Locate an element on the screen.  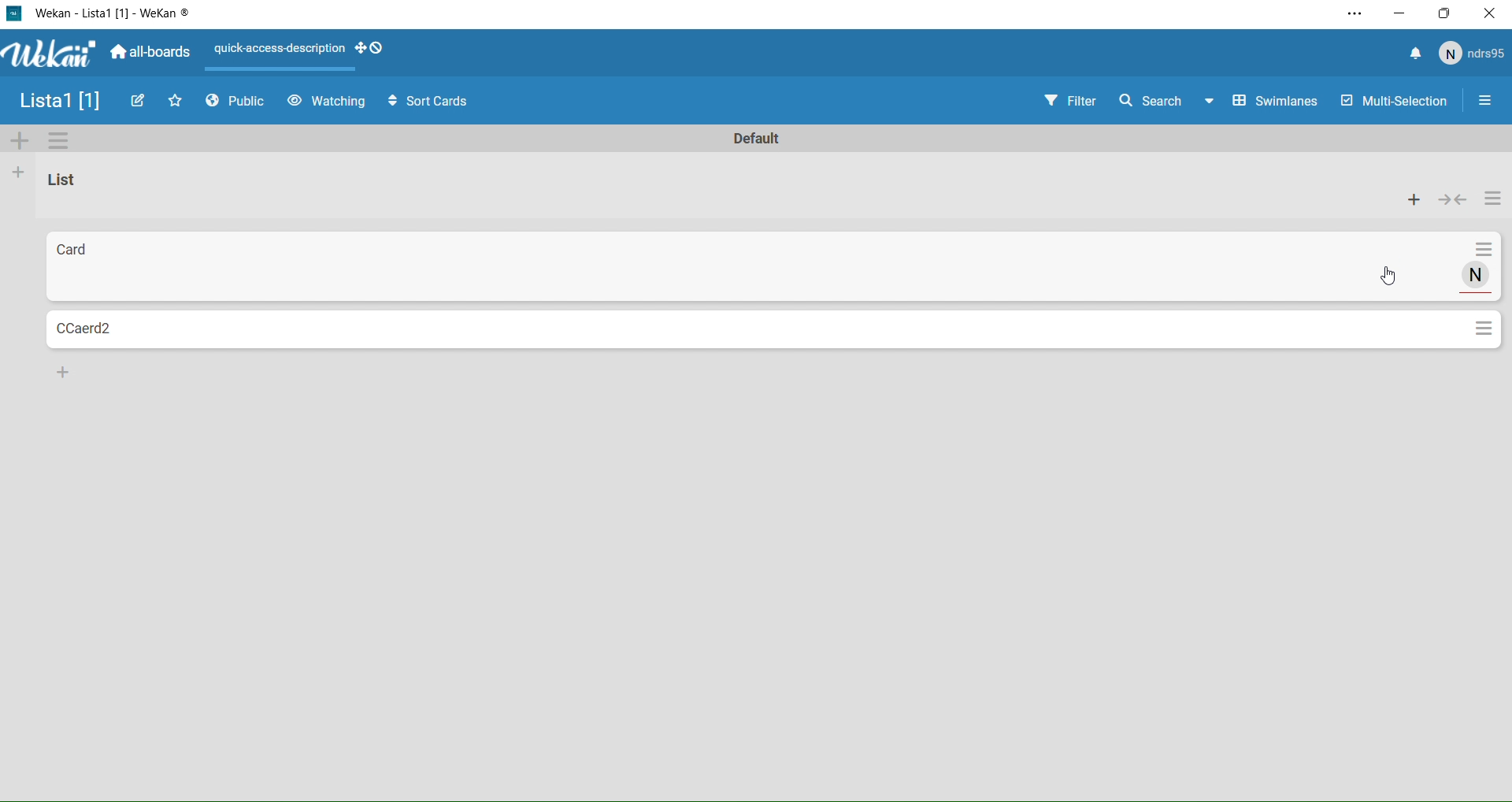
add is located at coordinates (14, 176).